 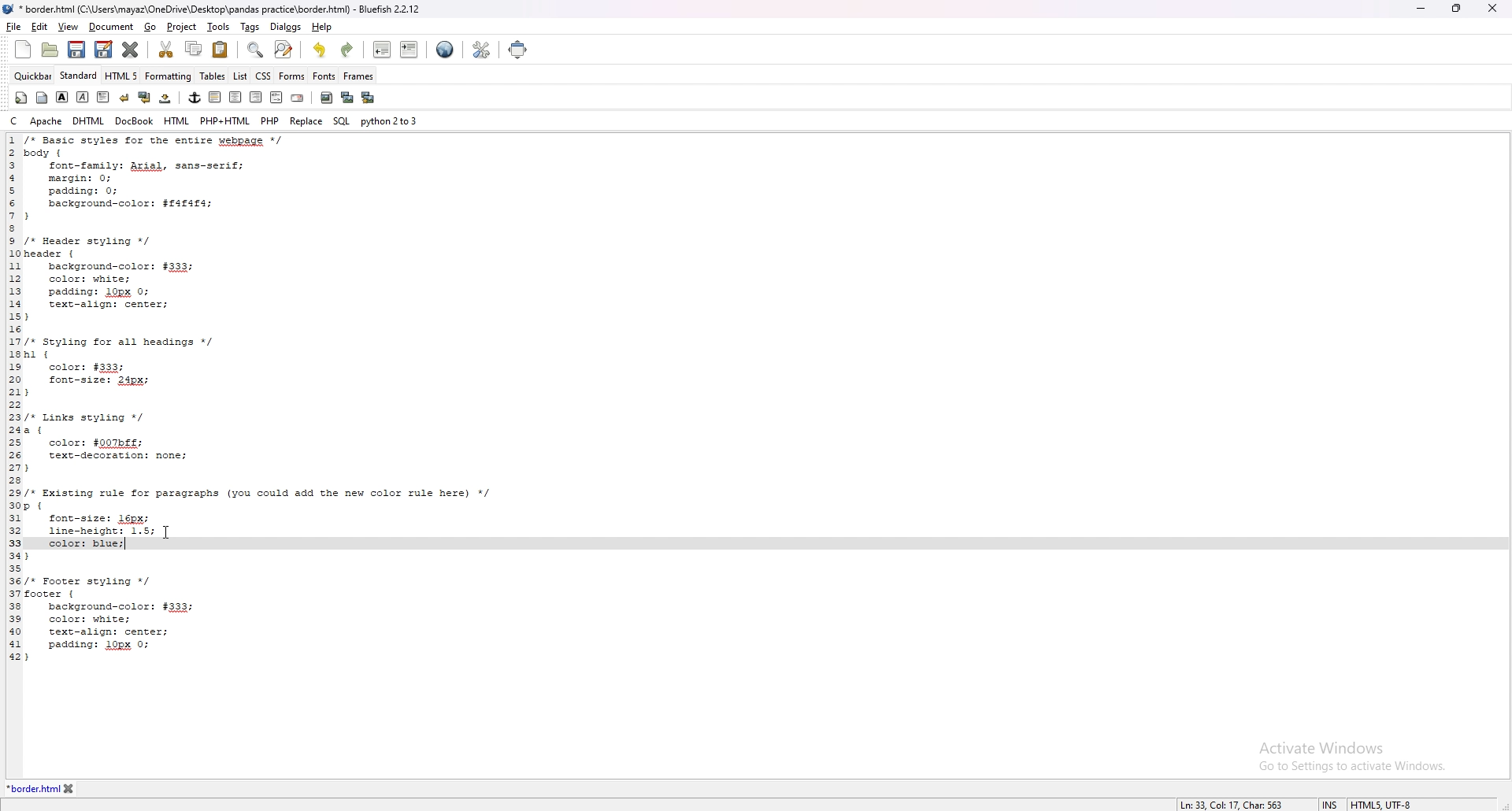 I want to click on formatting, so click(x=169, y=76).